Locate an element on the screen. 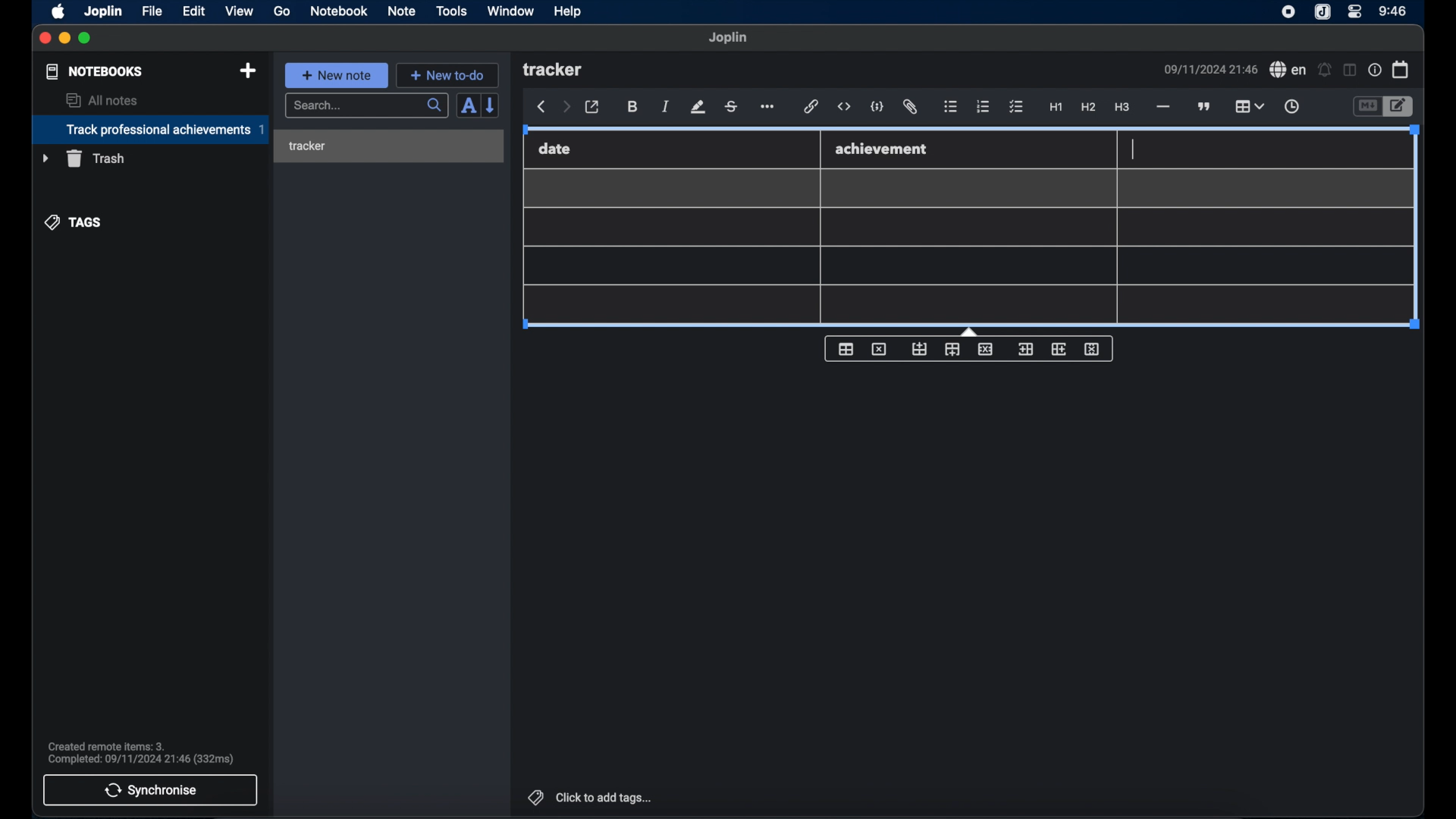  go is located at coordinates (283, 11).